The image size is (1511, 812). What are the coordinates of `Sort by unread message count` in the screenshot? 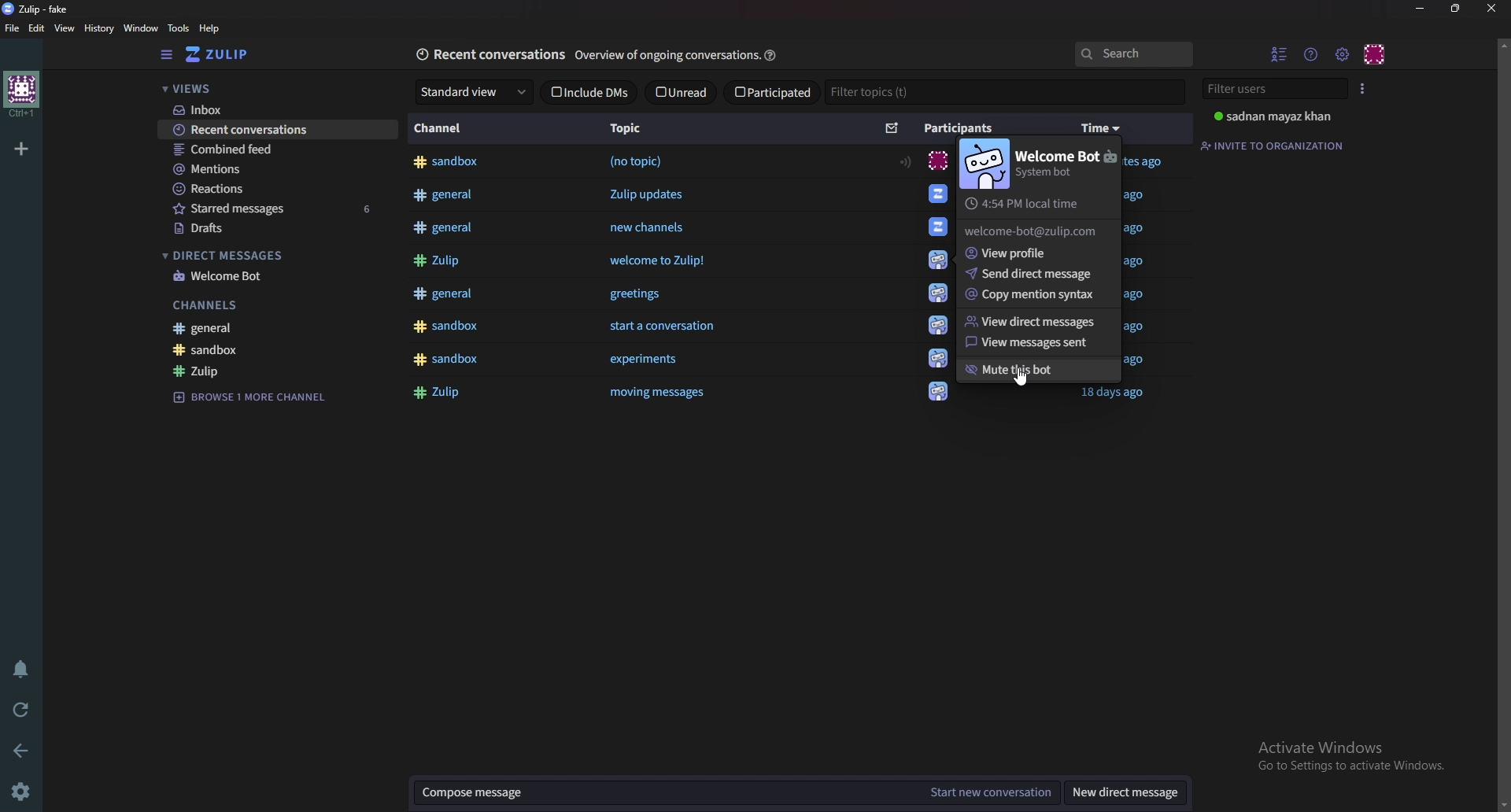 It's located at (892, 129).